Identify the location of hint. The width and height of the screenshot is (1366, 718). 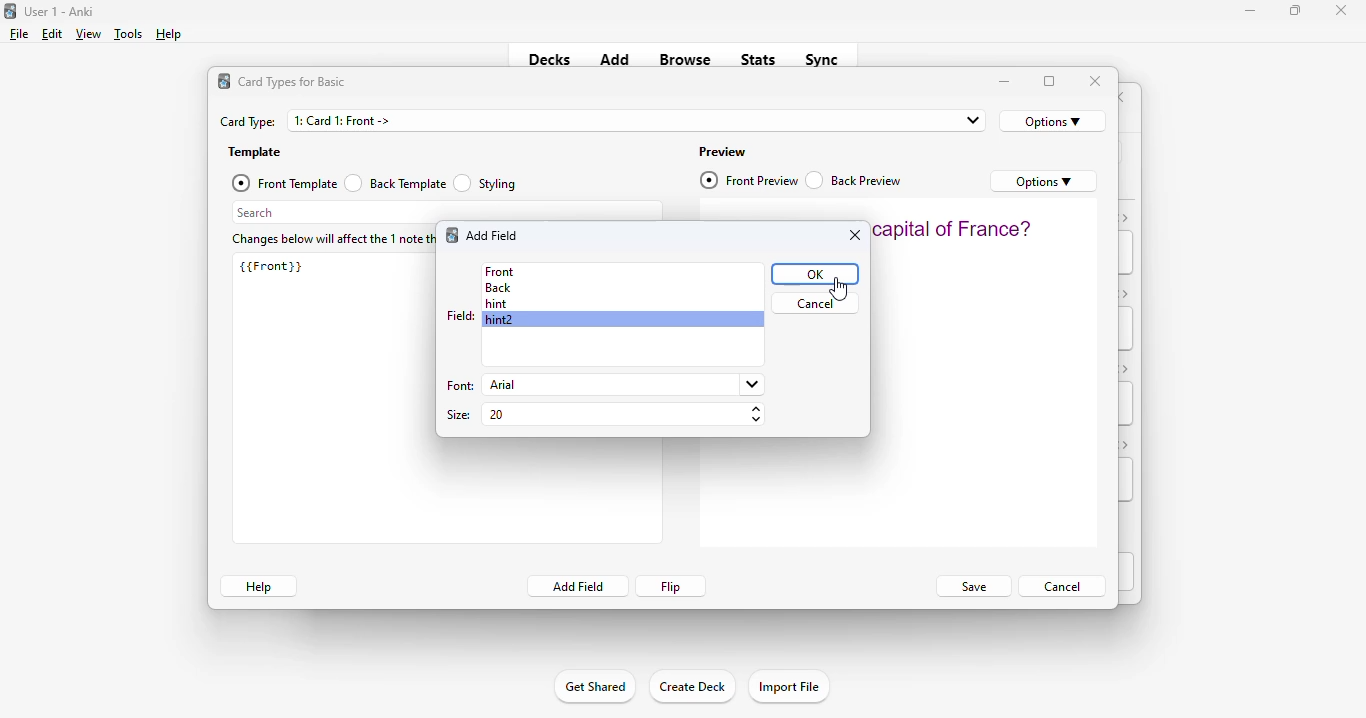
(495, 303).